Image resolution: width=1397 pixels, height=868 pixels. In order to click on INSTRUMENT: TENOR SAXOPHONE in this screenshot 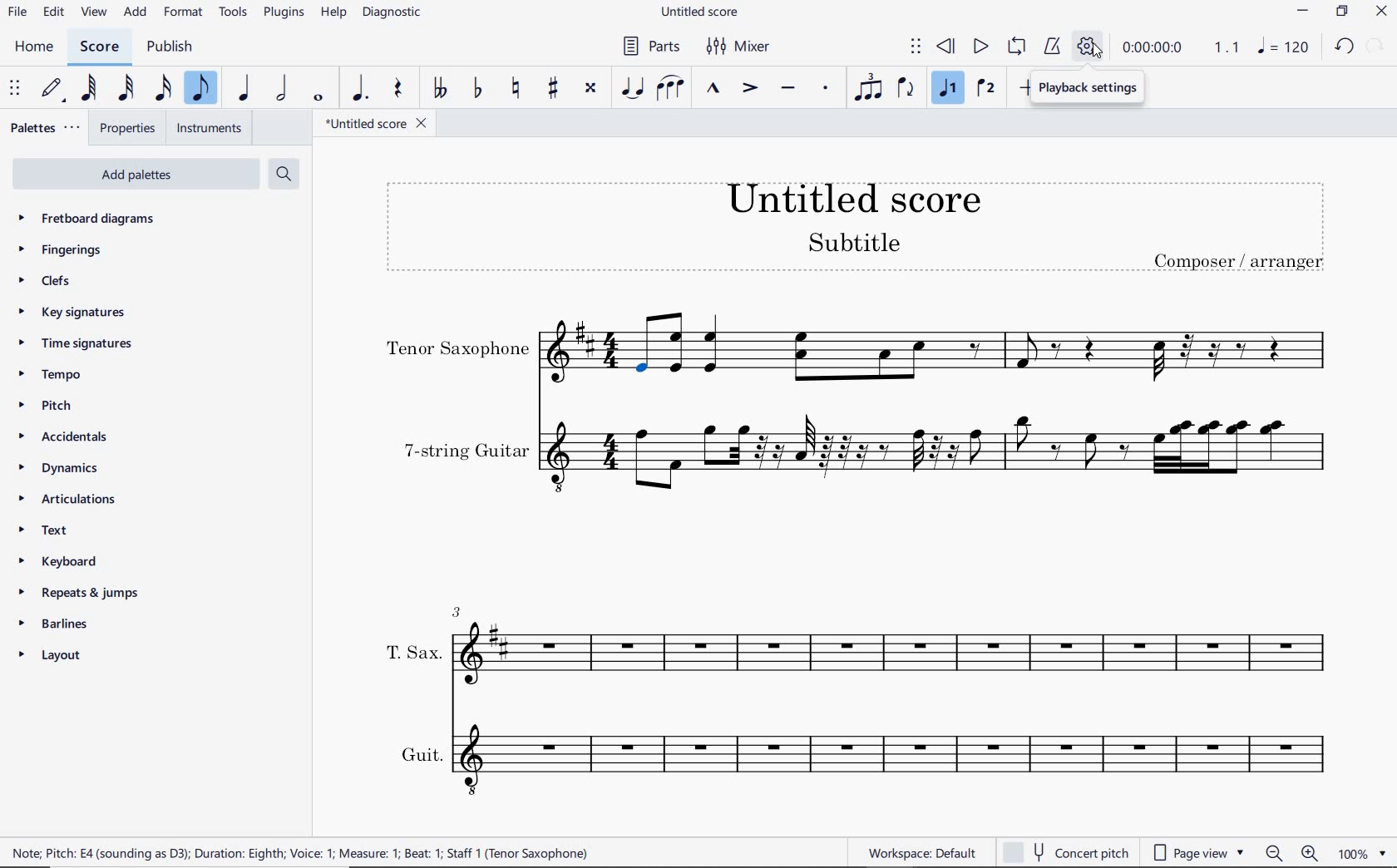, I will do `click(1008, 348)`.